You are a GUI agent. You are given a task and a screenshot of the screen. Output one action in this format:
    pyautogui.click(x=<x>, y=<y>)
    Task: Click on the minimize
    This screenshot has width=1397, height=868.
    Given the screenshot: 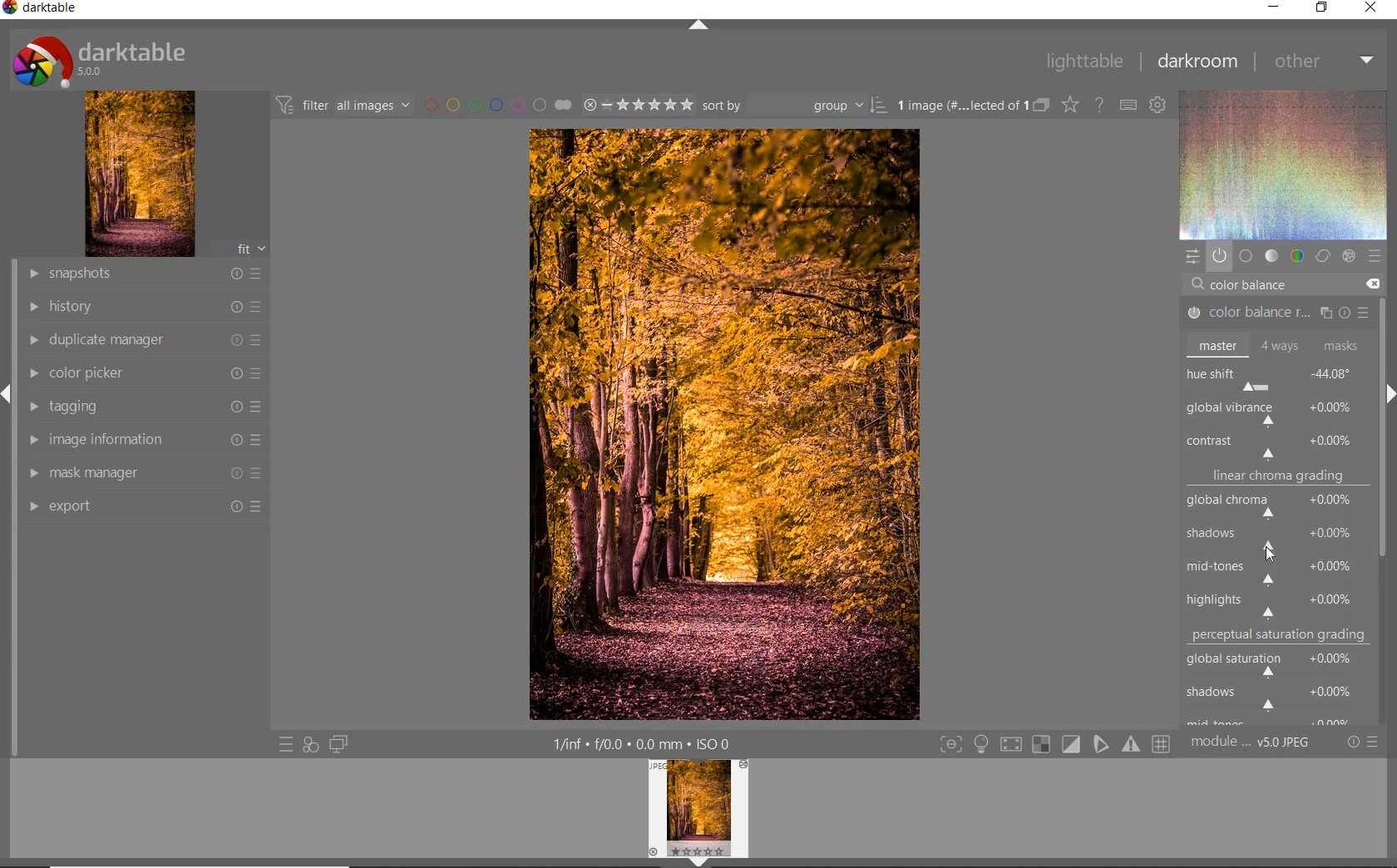 What is the action you would take?
    pyautogui.click(x=1275, y=6)
    